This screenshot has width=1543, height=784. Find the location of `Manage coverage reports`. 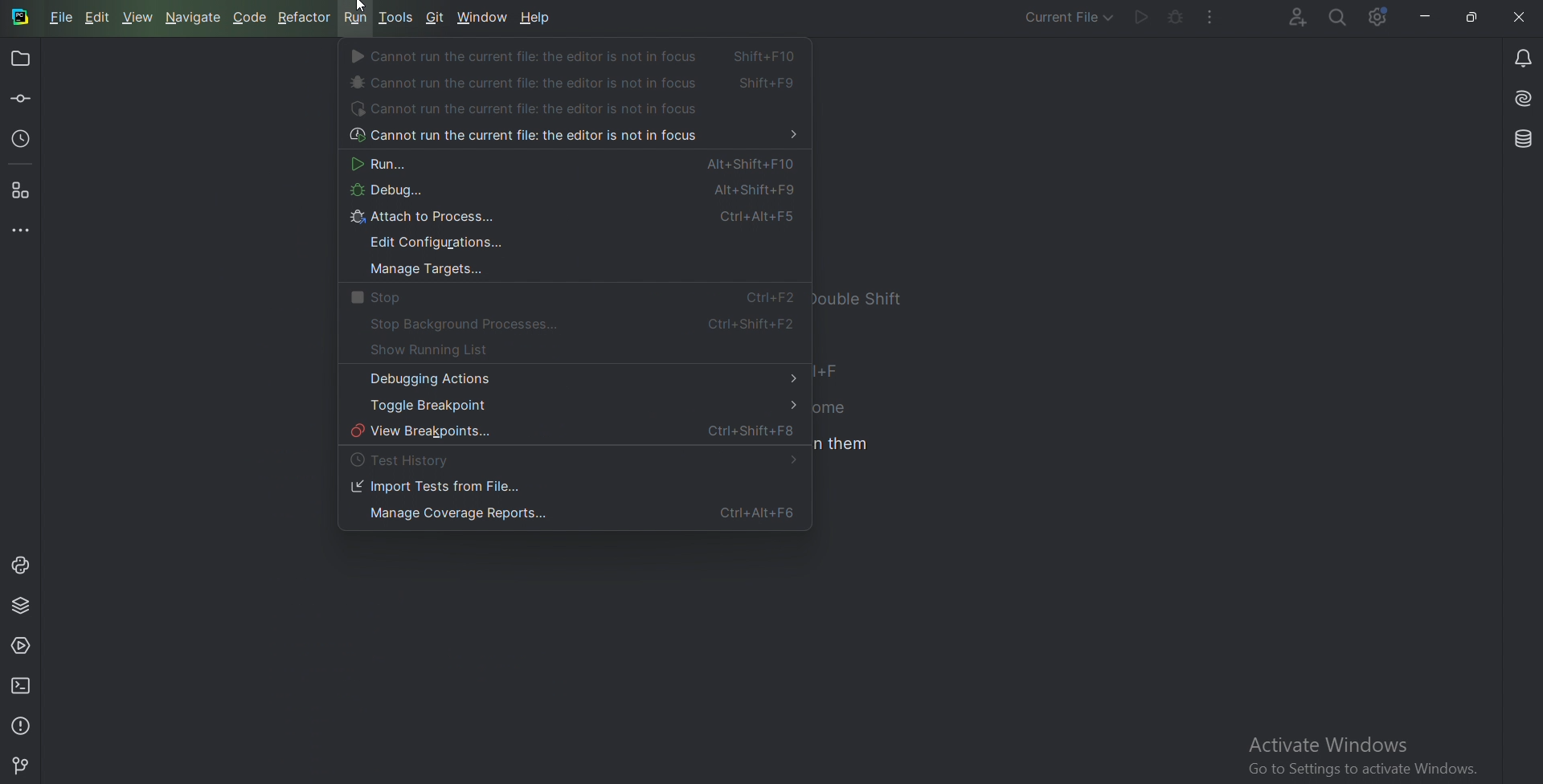

Manage coverage reports is located at coordinates (571, 515).